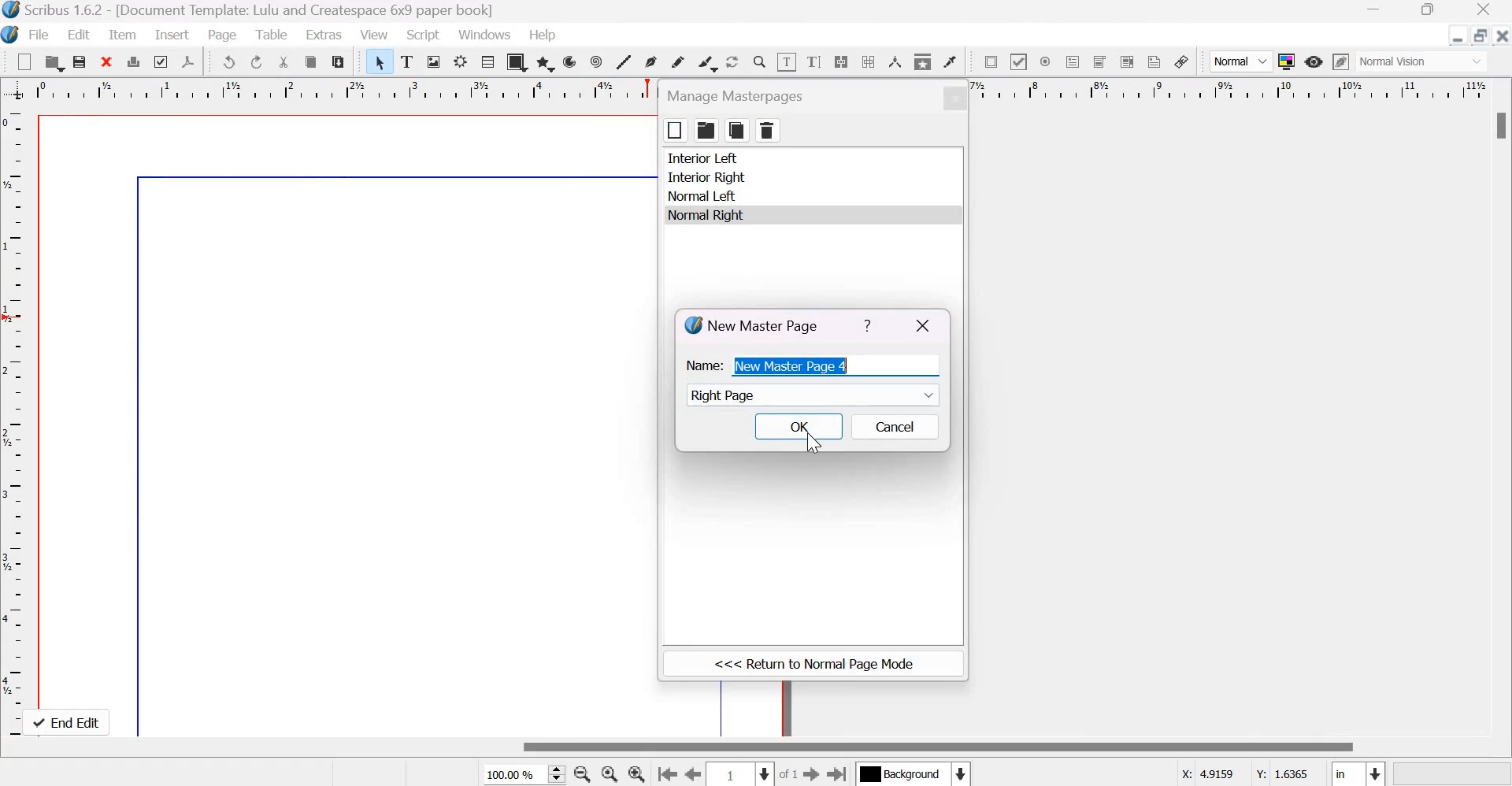 Image resolution: width=1512 pixels, height=786 pixels. Describe the element at coordinates (865, 324) in the screenshot. I see `help` at that location.